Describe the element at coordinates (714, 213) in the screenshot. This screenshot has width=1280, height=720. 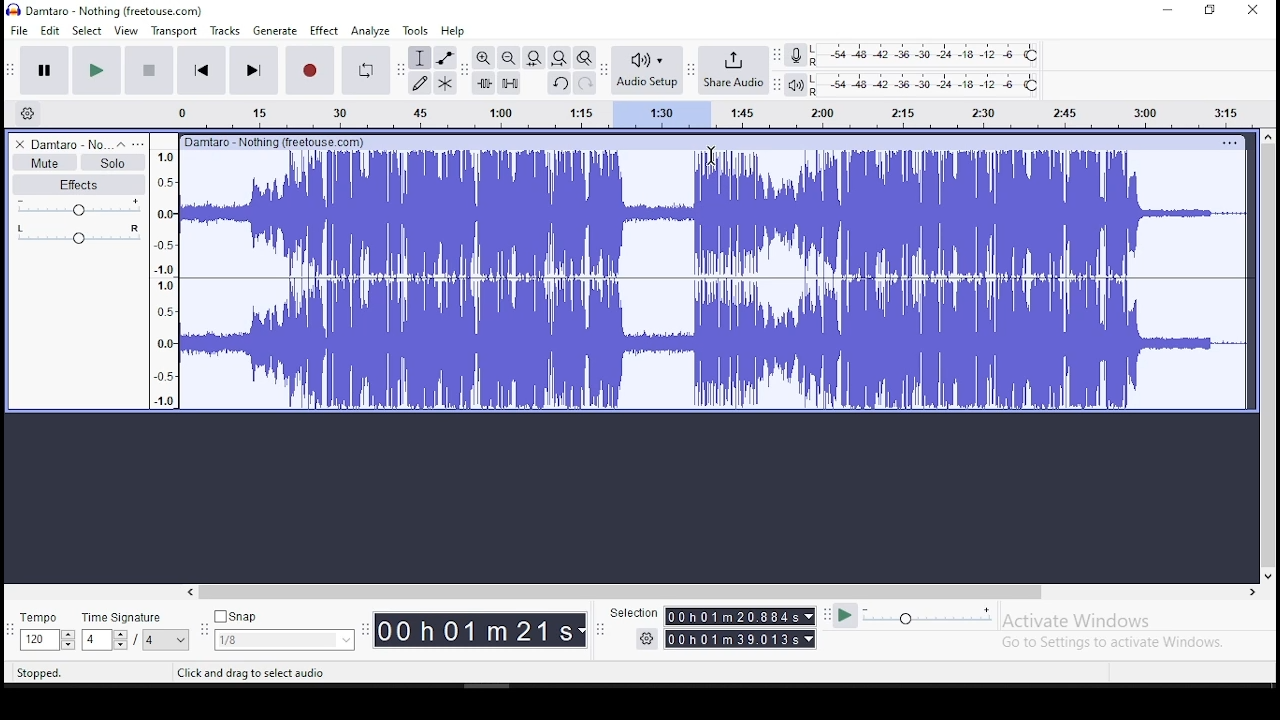
I see `audio track` at that location.